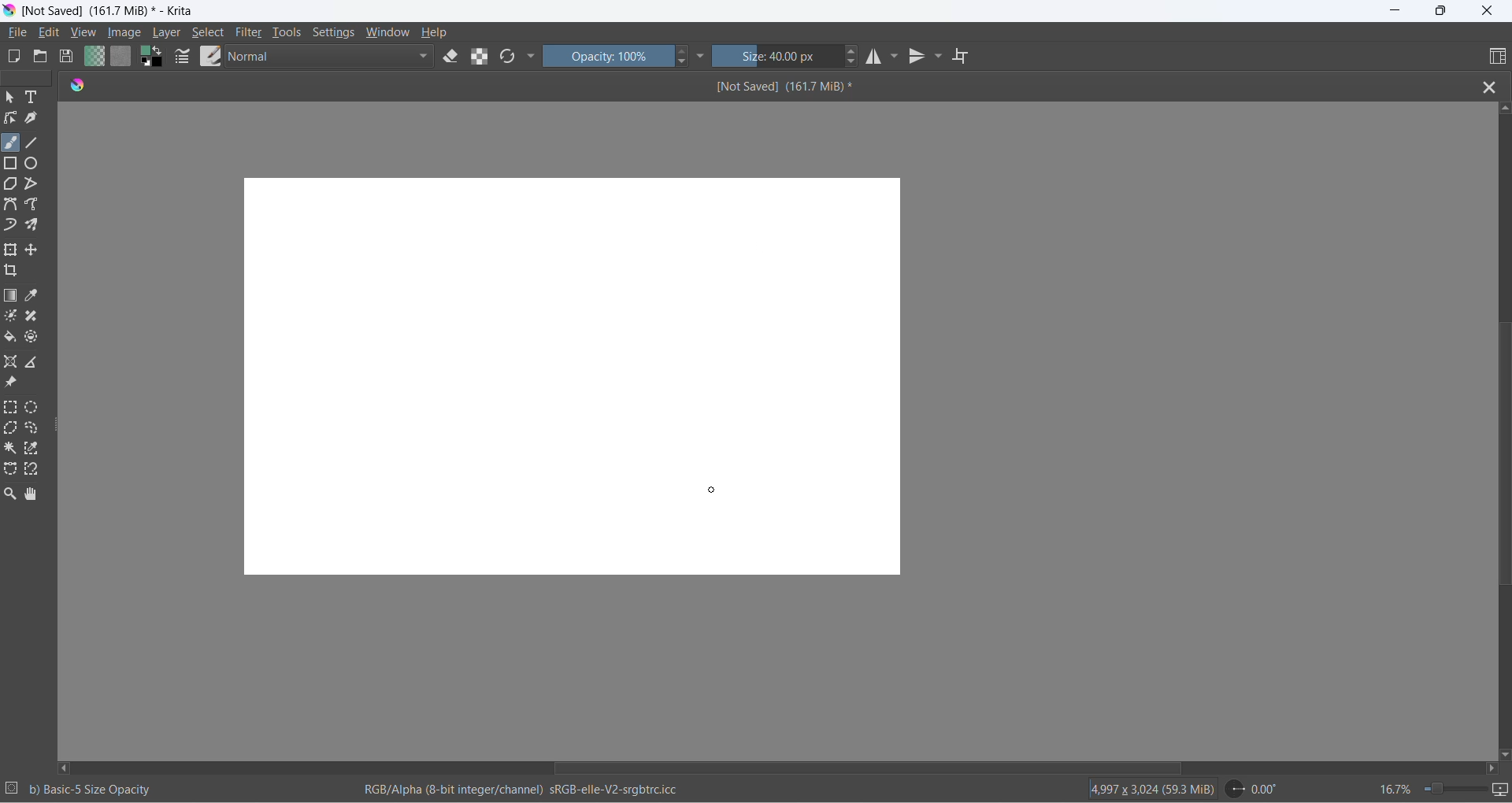  What do you see at coordinates (873, 58) in the screenshot?
I see `horizontal mirror tool` at bounding box center [873, 58].